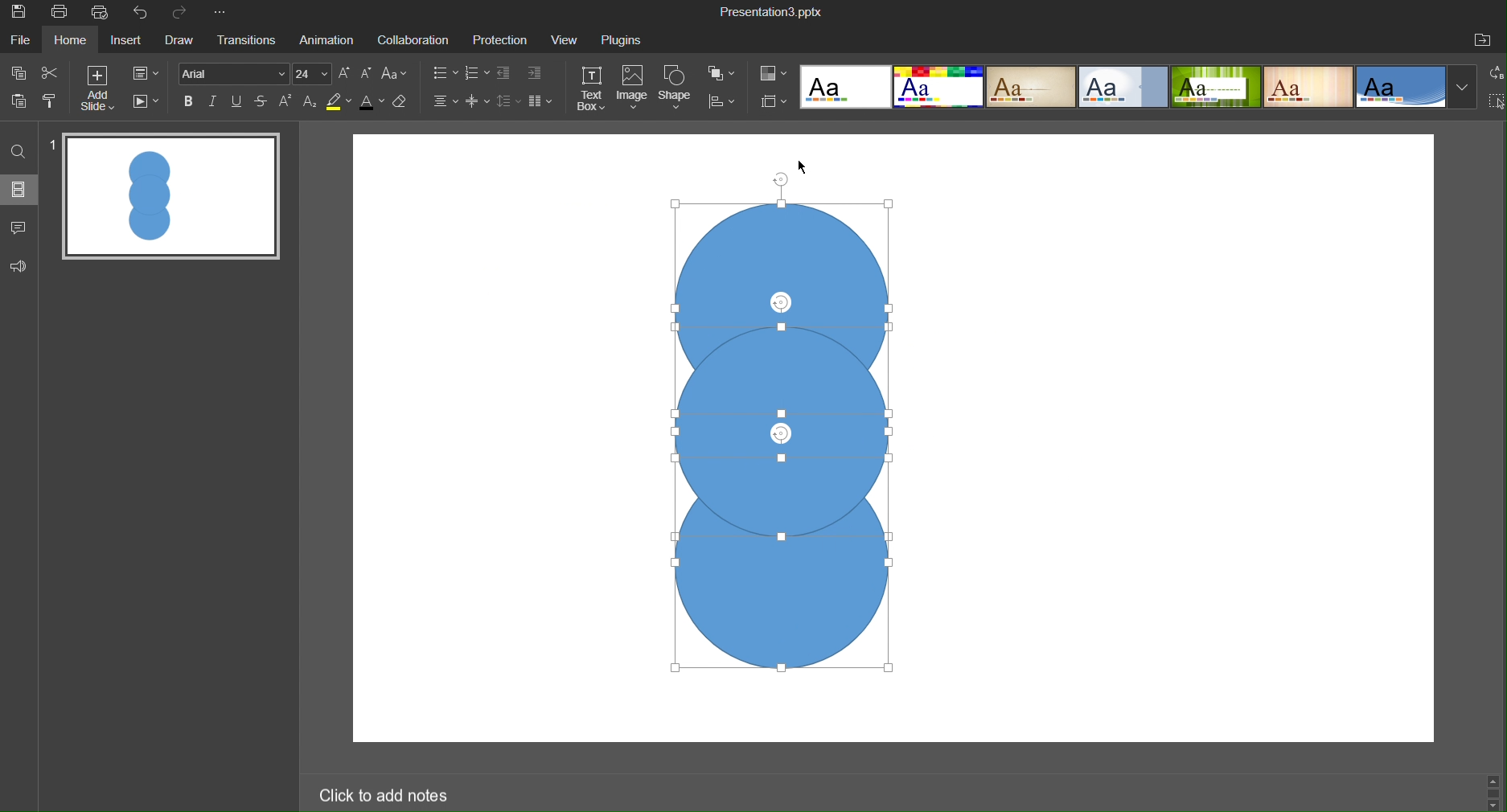 The width and height of the screenshot is (1507, 812). What do you see at coordinates (330, 40) in the screenshot?
I see `Animation` at bounding box center [330, 40].